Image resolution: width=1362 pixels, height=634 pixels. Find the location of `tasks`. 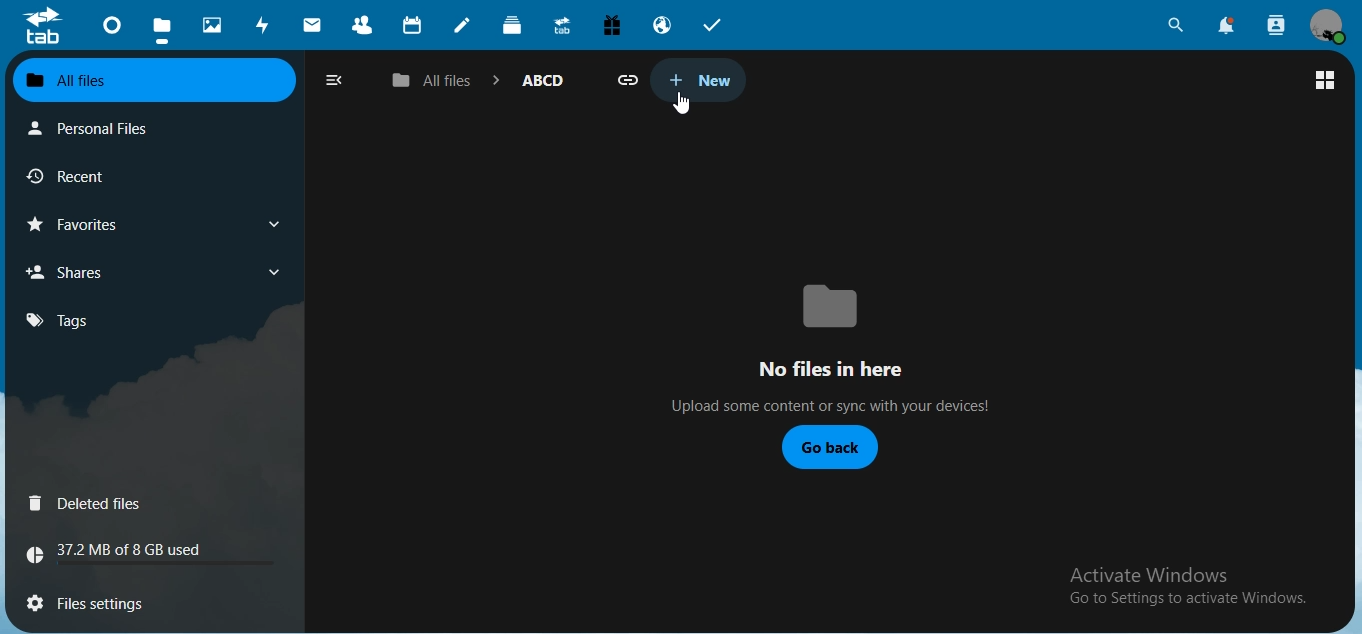

tasks is located at coordinates (713, 24).